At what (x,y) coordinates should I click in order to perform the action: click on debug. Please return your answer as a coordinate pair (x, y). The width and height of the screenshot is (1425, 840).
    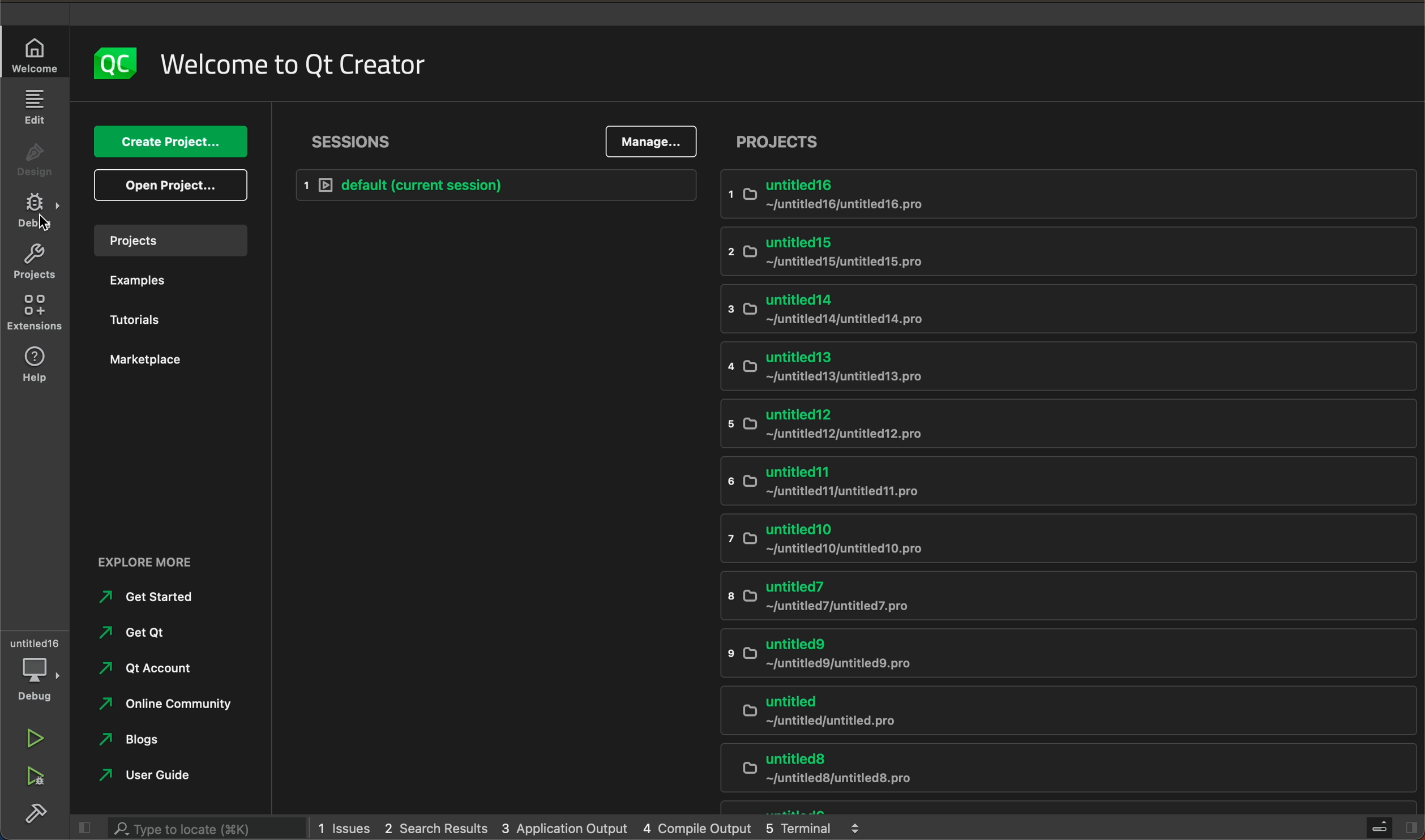
    Looking at the image, I should click on (35, 211).